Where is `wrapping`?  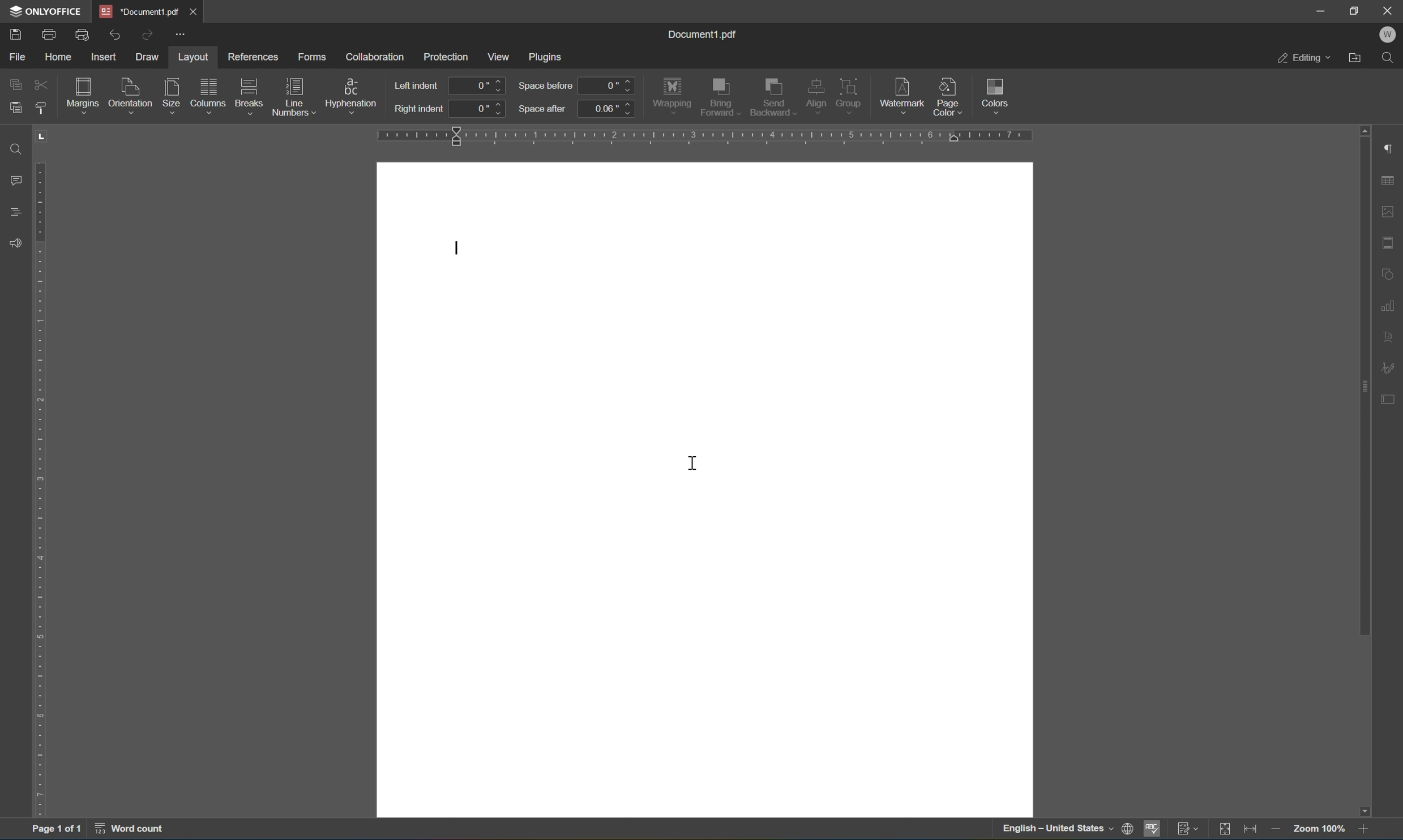 wrapping is located at coordinates (672, 94).